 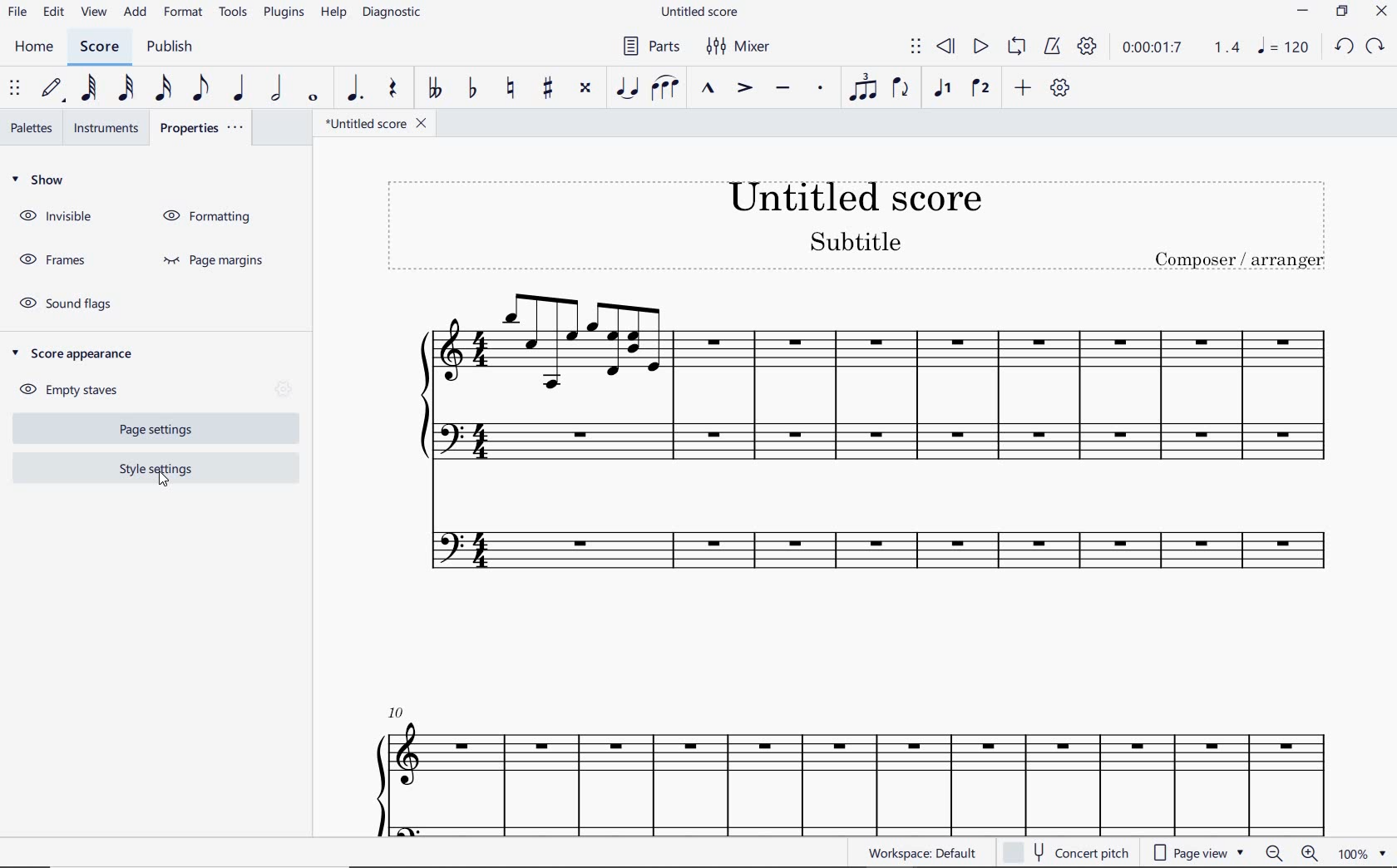 What do you see at coordinates (514, 87) in the screenshot?
I see `TOGGLE NATURAL` at bounding box center [514, 87].